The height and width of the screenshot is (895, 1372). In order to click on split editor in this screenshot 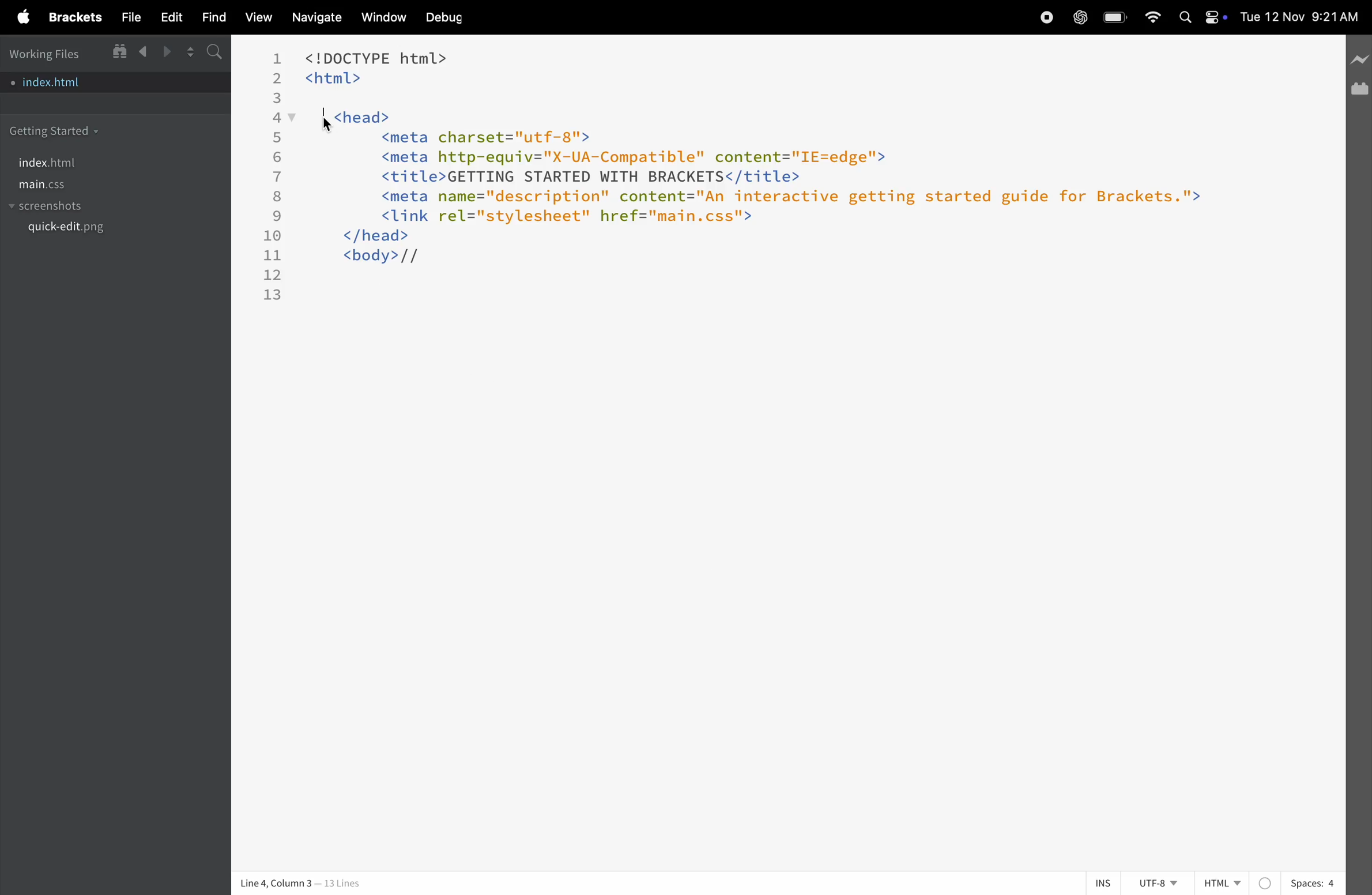, I will do `click(188, 52)`.